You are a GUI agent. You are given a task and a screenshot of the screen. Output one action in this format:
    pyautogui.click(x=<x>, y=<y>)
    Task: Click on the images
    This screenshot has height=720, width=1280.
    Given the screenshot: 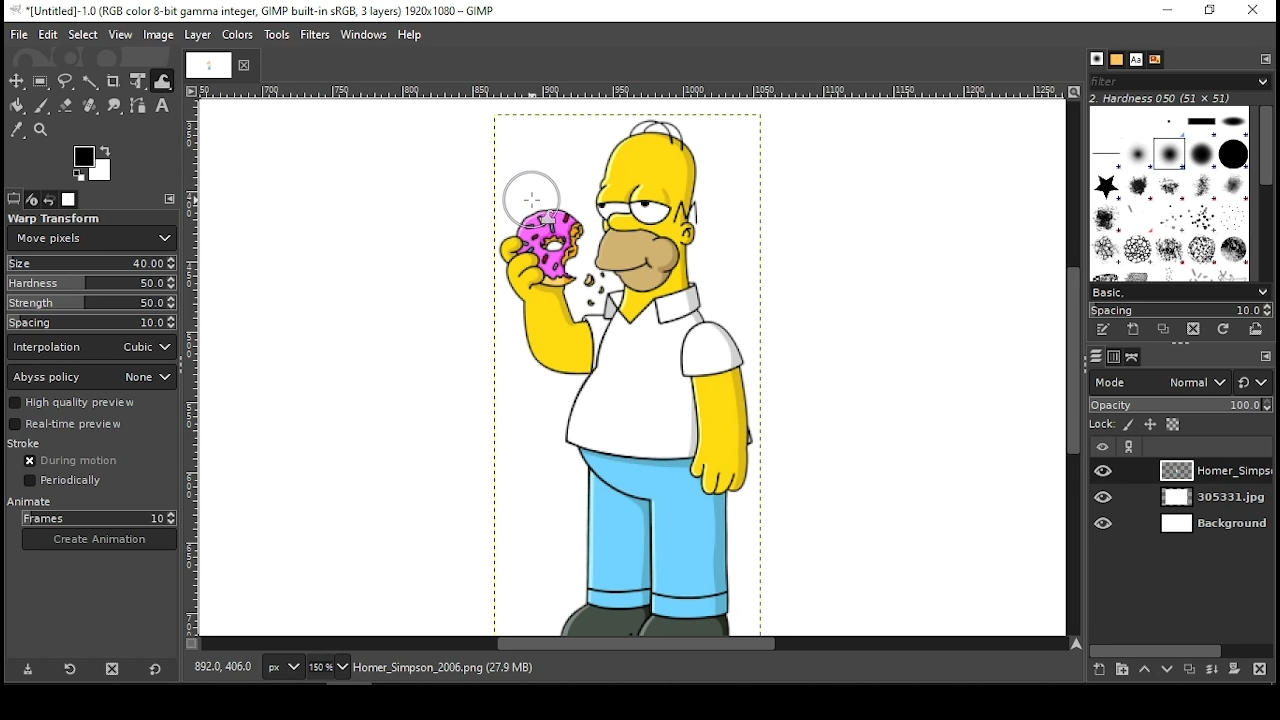 What is the action you would take?
    pyautogui.click(x=68, y=200)
    